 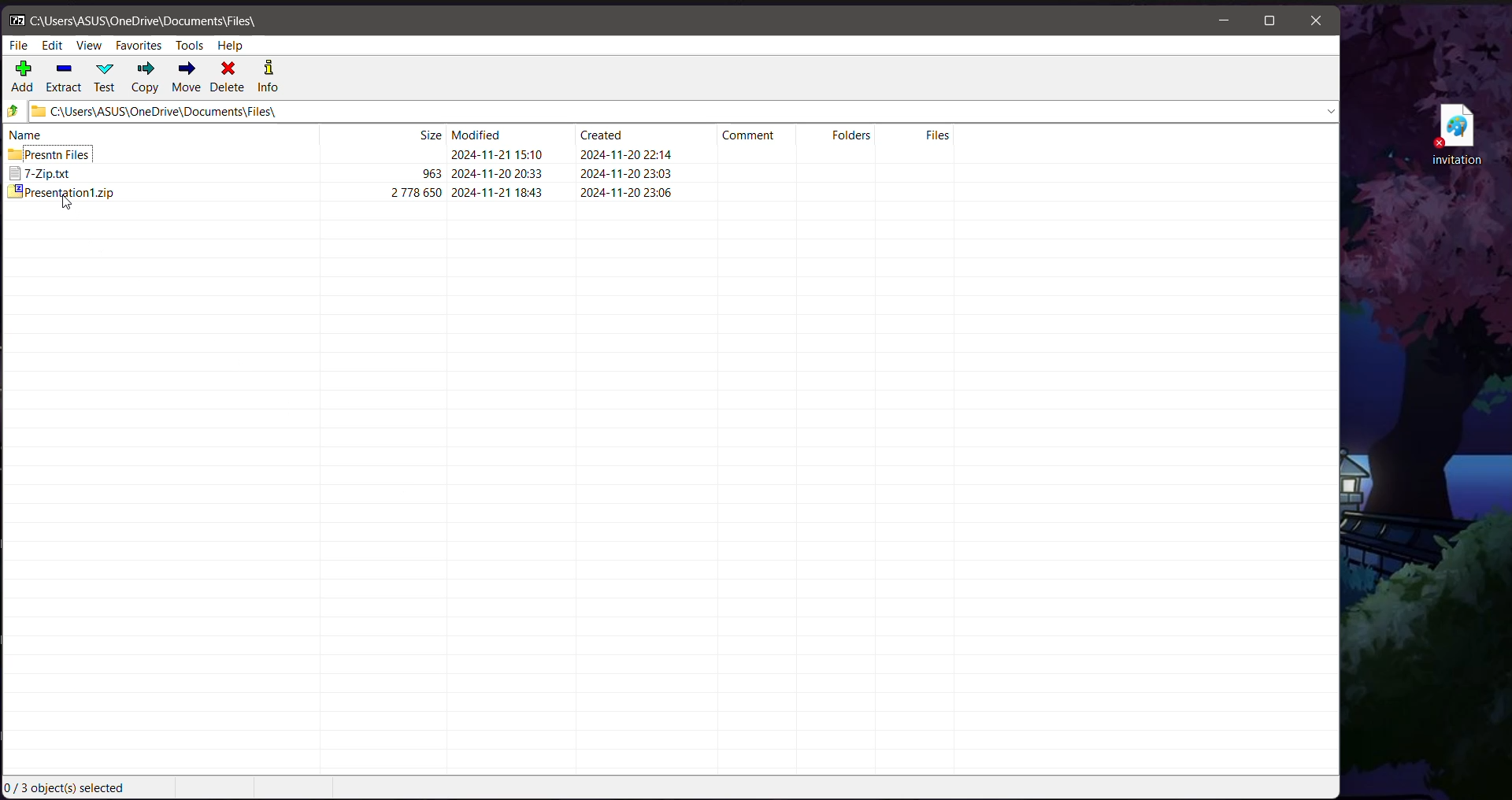 I want to click on Modified, so click(x=485, y=134).